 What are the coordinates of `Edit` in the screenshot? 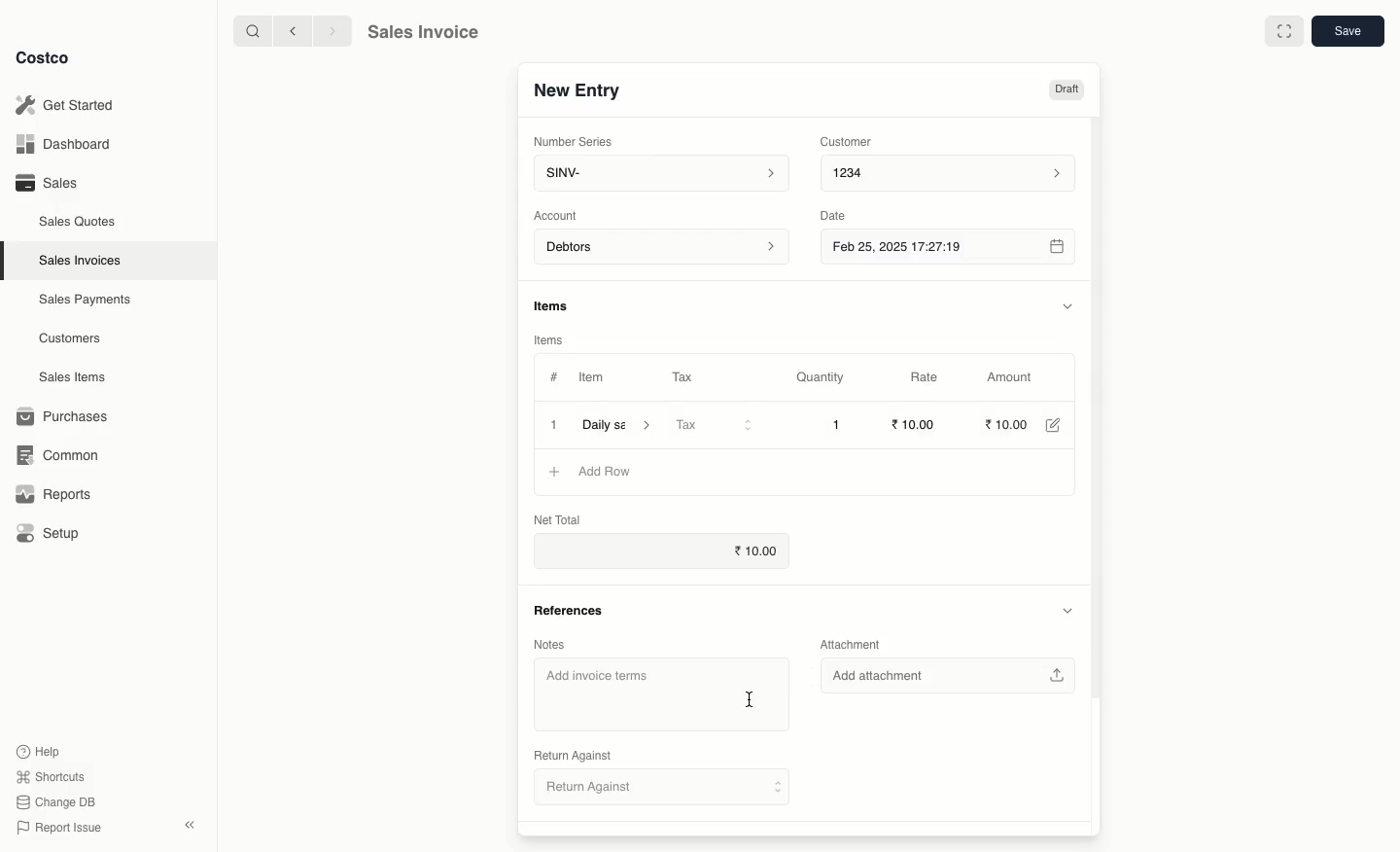 It's located at (1060, 425).